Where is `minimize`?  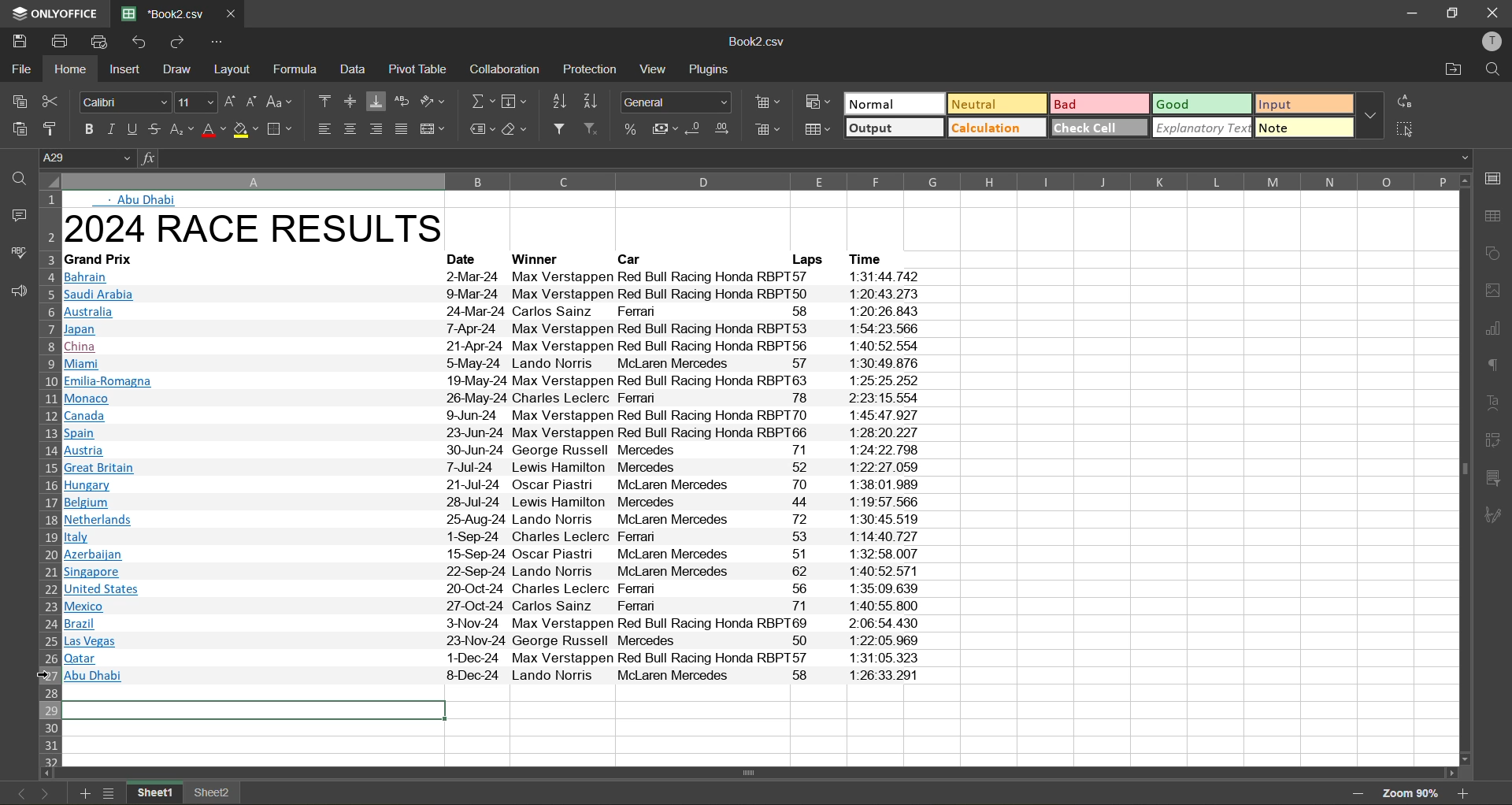
minimize is located at coordinates (1410, 12).